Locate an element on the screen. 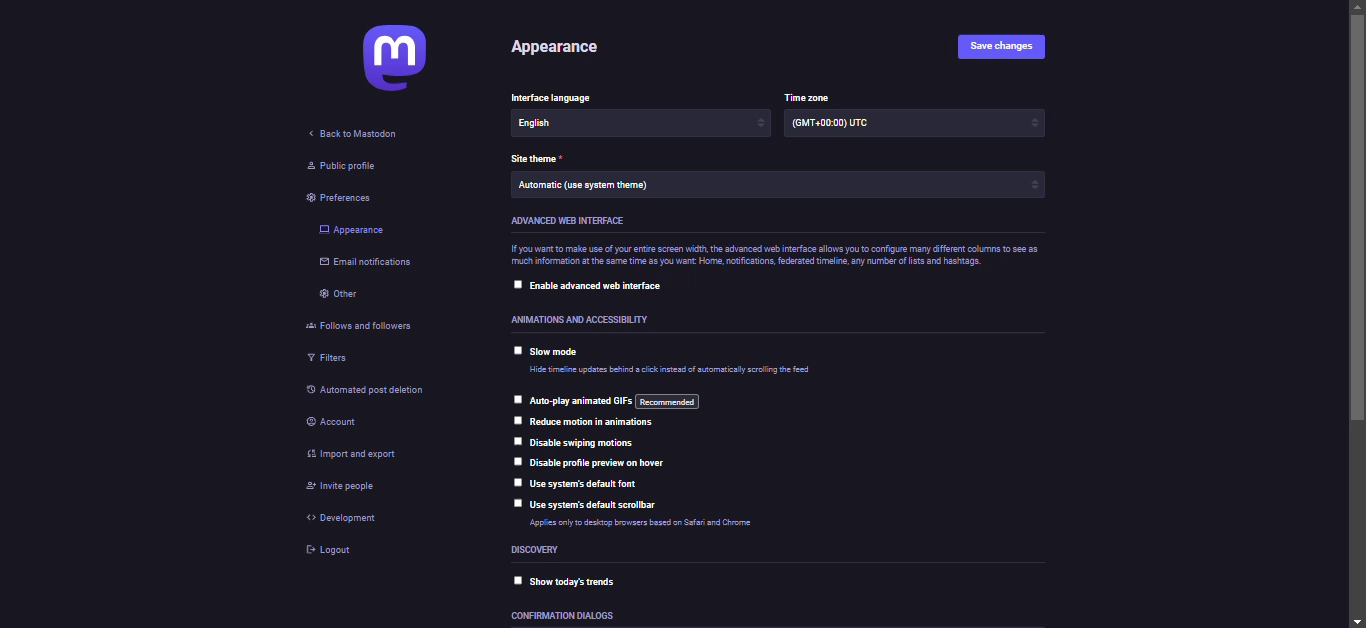  discovery is located at coordinates (538, 550).